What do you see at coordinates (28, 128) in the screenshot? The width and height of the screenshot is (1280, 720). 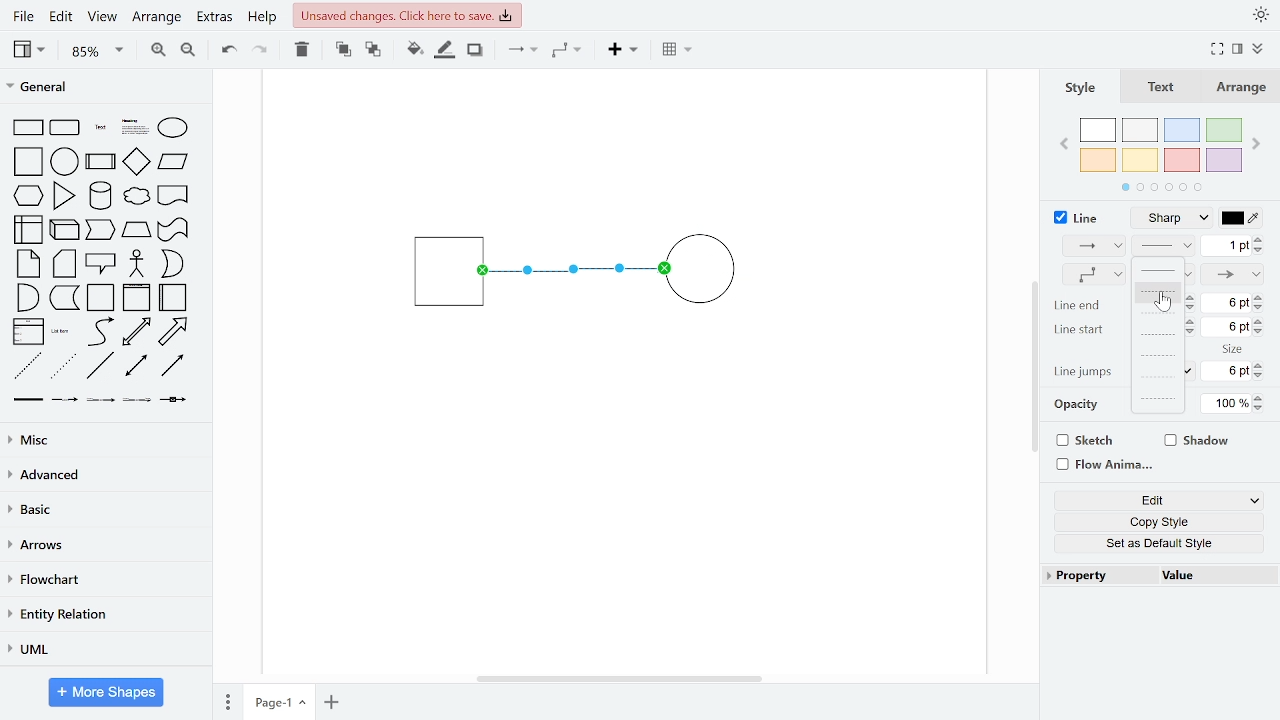 I see `rectangle` at bounding box center [28, 128].